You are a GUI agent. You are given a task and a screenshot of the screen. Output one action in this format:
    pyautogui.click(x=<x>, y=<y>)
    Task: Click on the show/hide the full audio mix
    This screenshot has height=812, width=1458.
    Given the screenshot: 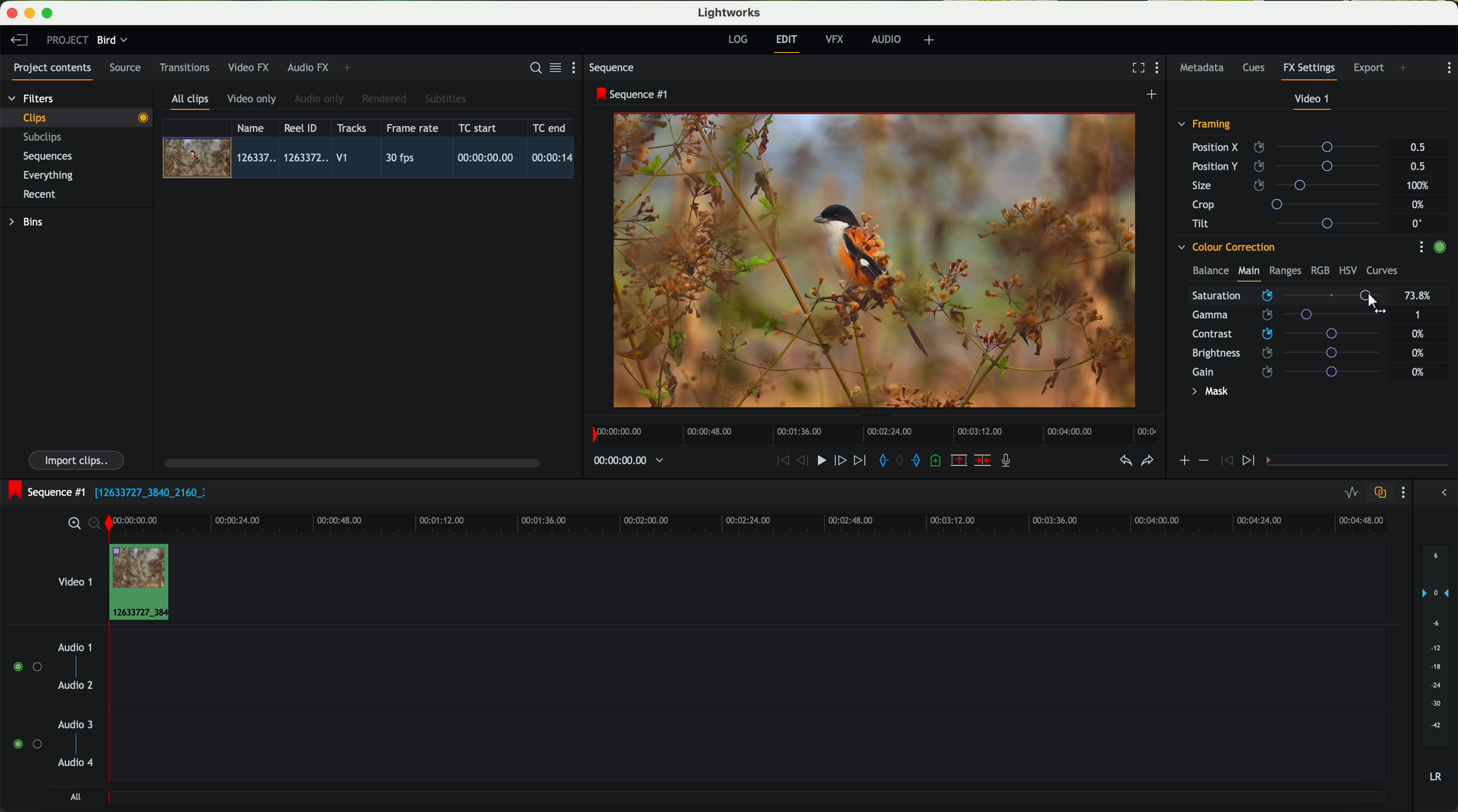 What is the action you would take?
    pyautogui.click(x=1440, y=493)
    